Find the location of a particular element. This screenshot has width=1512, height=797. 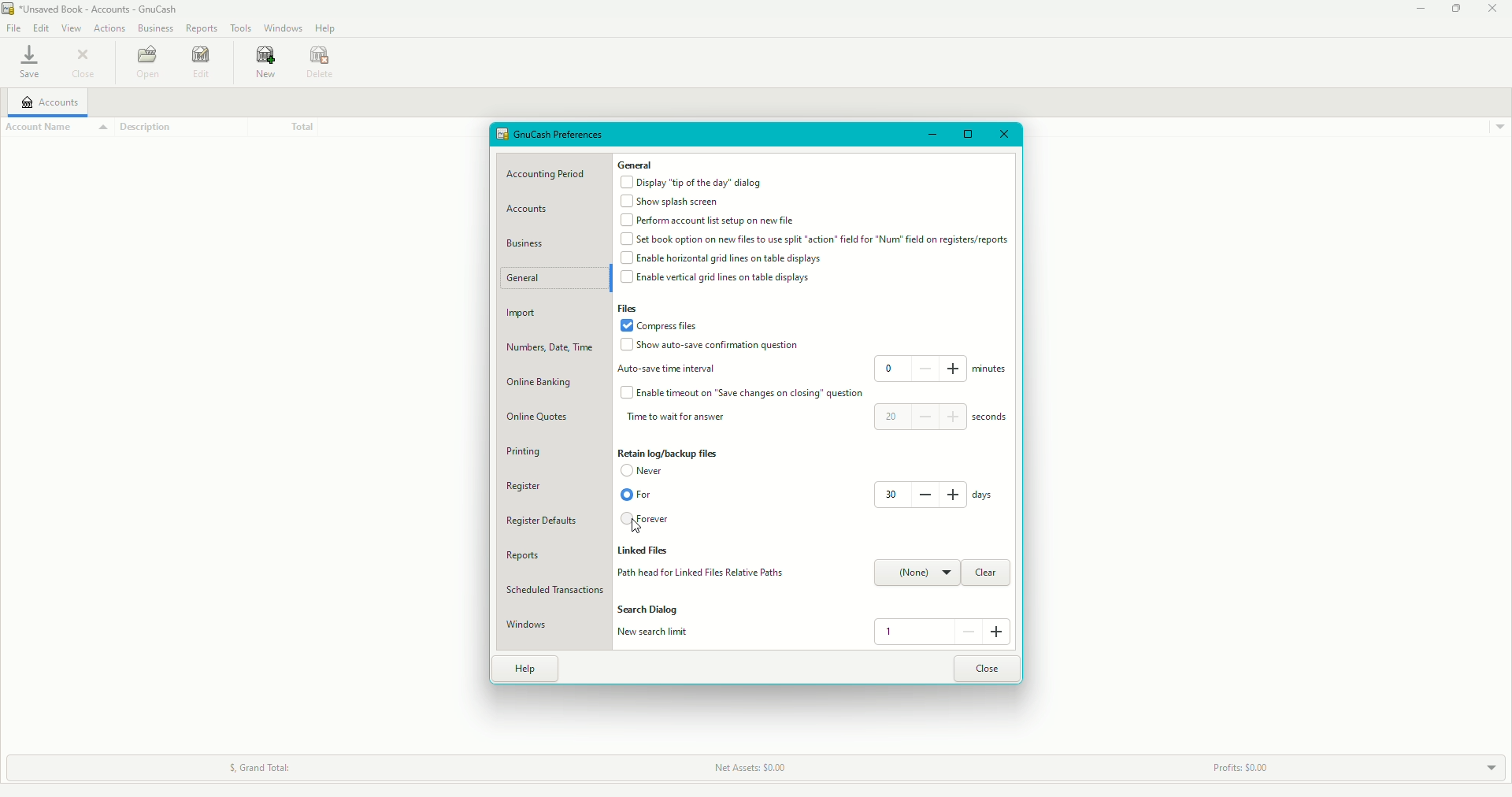

Preferences is located at coordinates (552, 135).